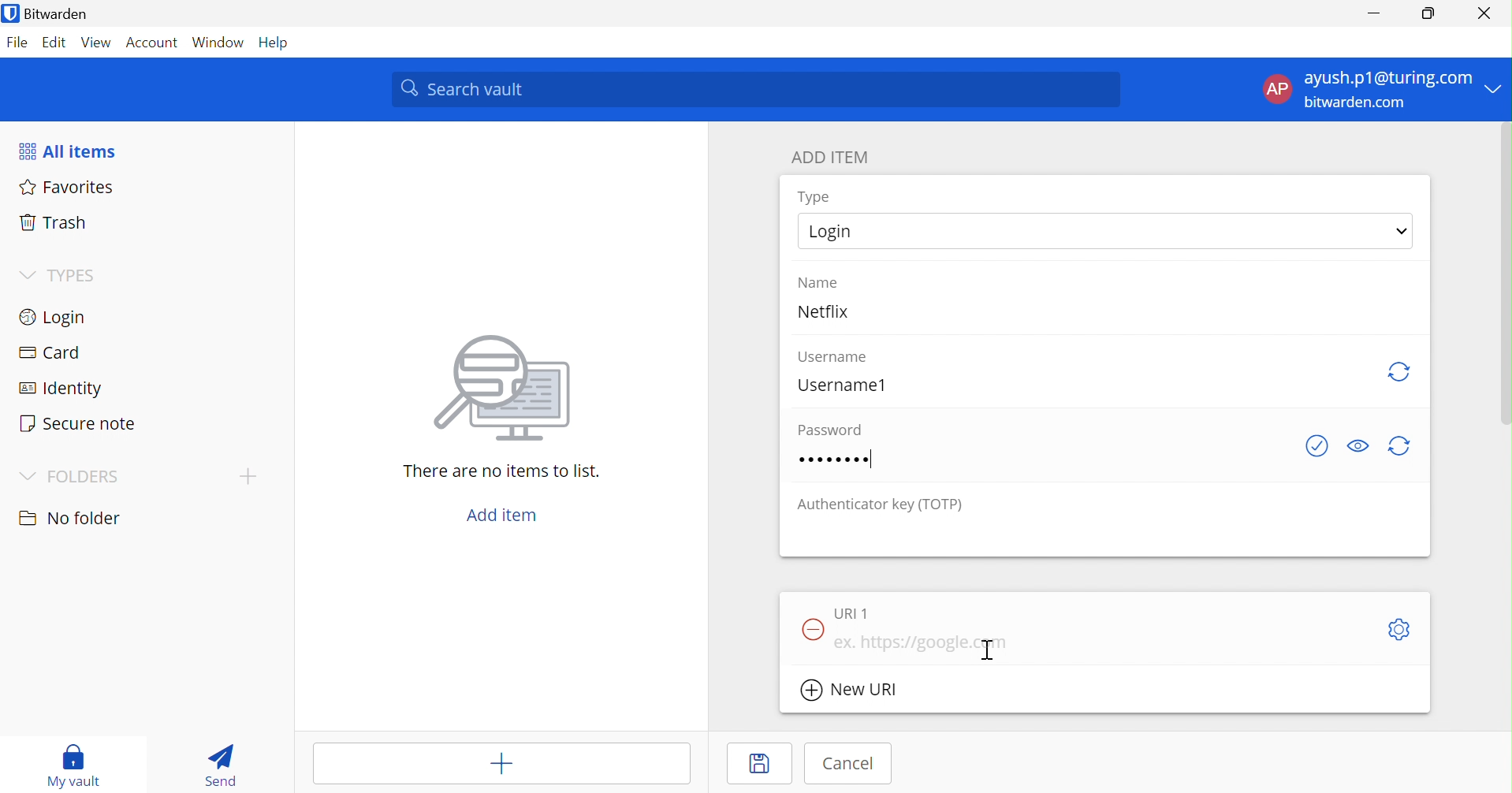 The height and width of the screenshot is (793, 1512). I want to click on Check if password as been exposed, so click(1316, 446).